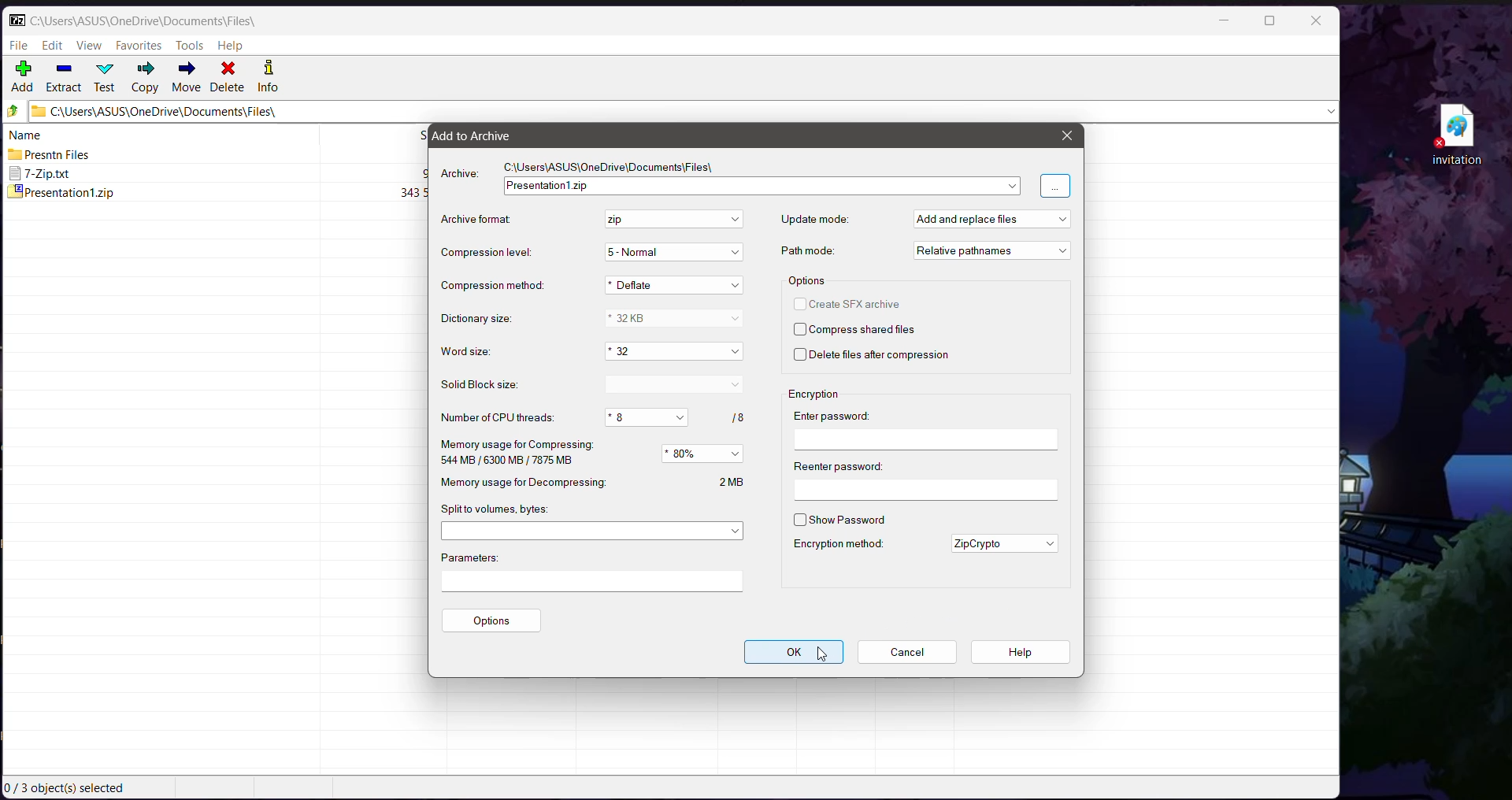 The image size is (1512, 800). What do you see at coordinates (491, 284) in the screenshot?
I see `Compression method` at bounding box center [491, 284].